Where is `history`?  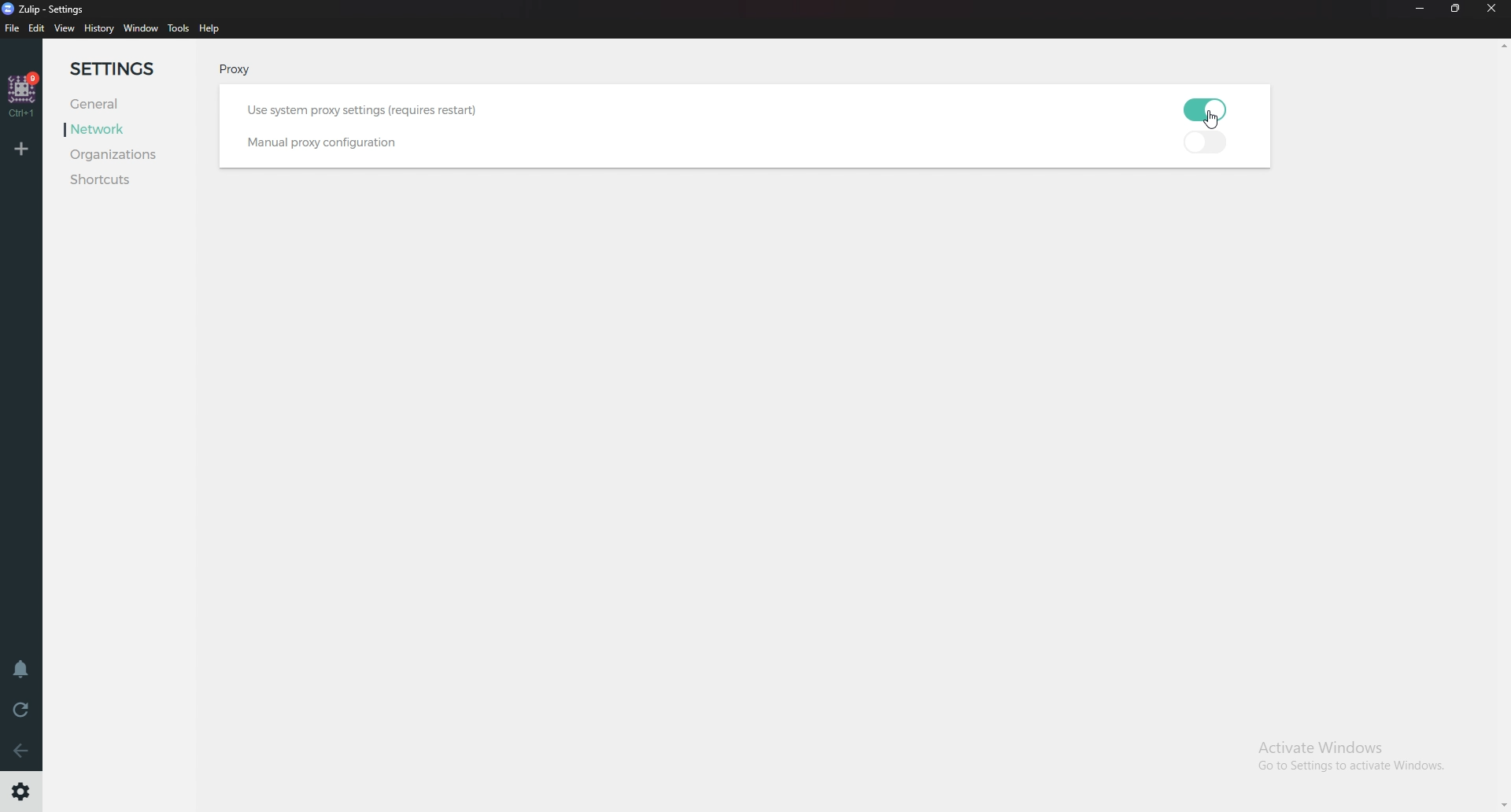
history is located at coordinates (98, 29).